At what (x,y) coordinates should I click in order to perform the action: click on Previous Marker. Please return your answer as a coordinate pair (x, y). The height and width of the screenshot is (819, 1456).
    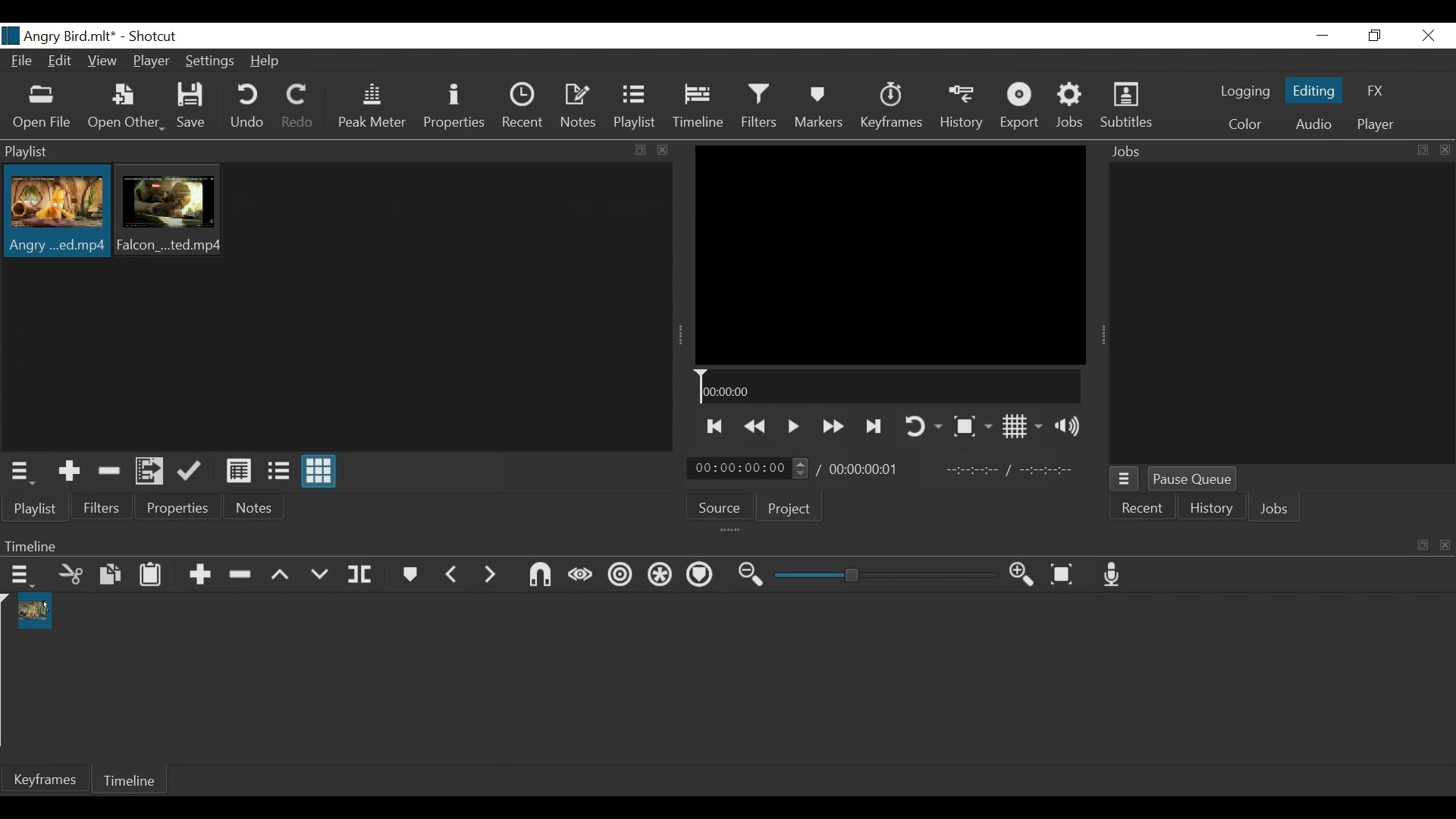
    Looking at the image, I should click on (453, 574).